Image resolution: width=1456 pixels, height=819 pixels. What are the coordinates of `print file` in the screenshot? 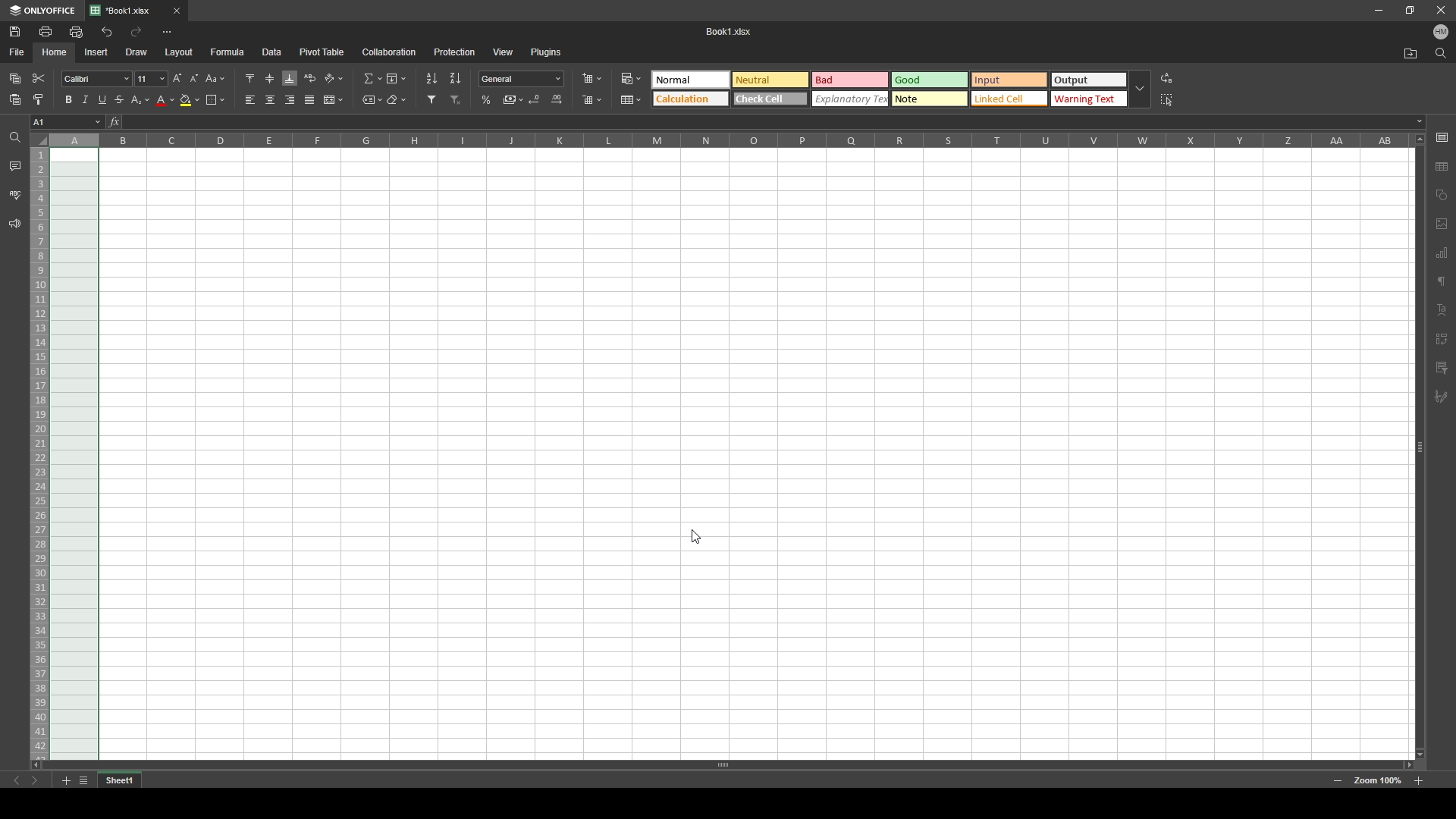 It's located at (45, 31).